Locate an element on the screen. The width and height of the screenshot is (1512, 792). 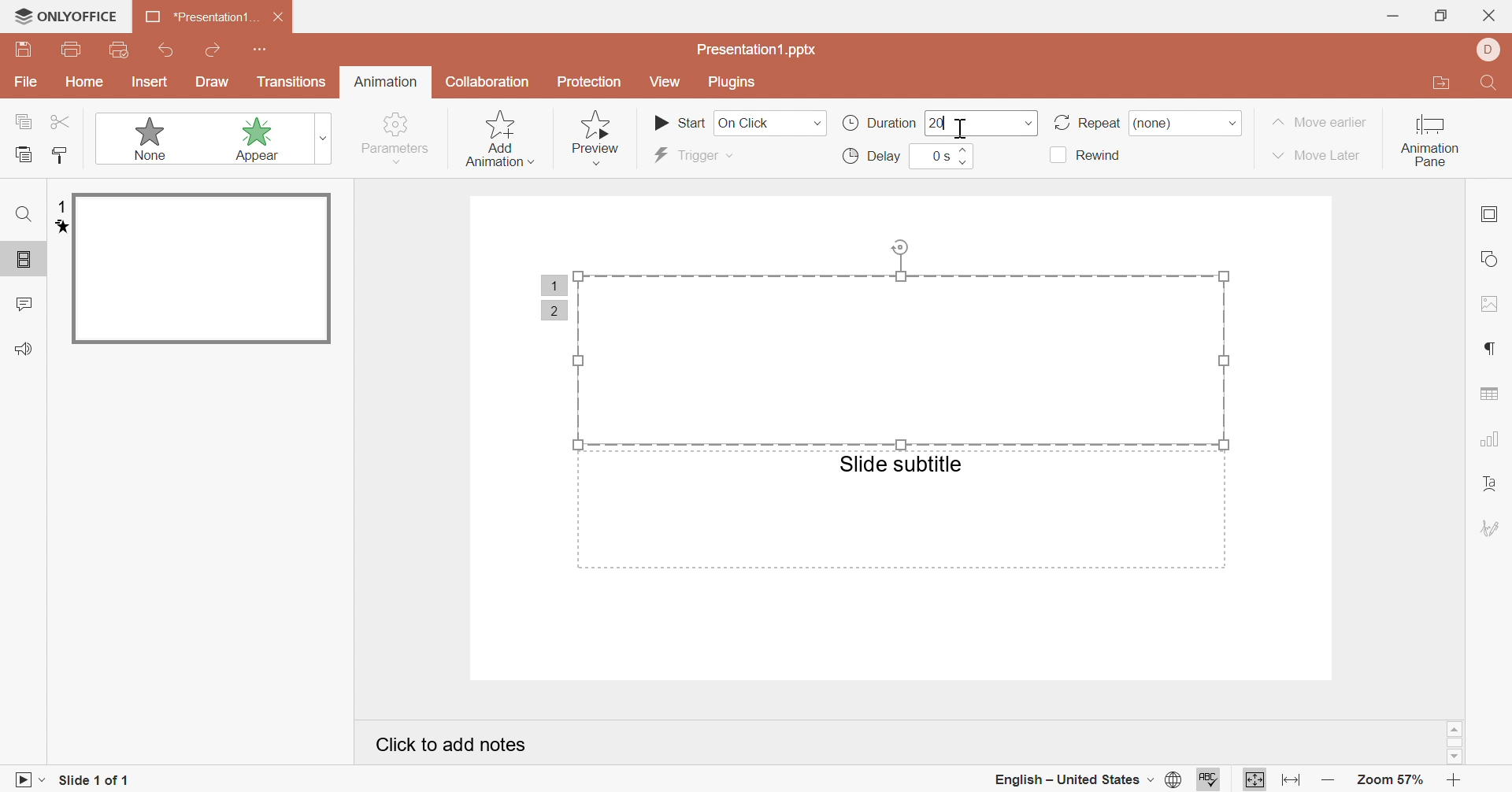
set document language is located at coordinates (1177, 781).